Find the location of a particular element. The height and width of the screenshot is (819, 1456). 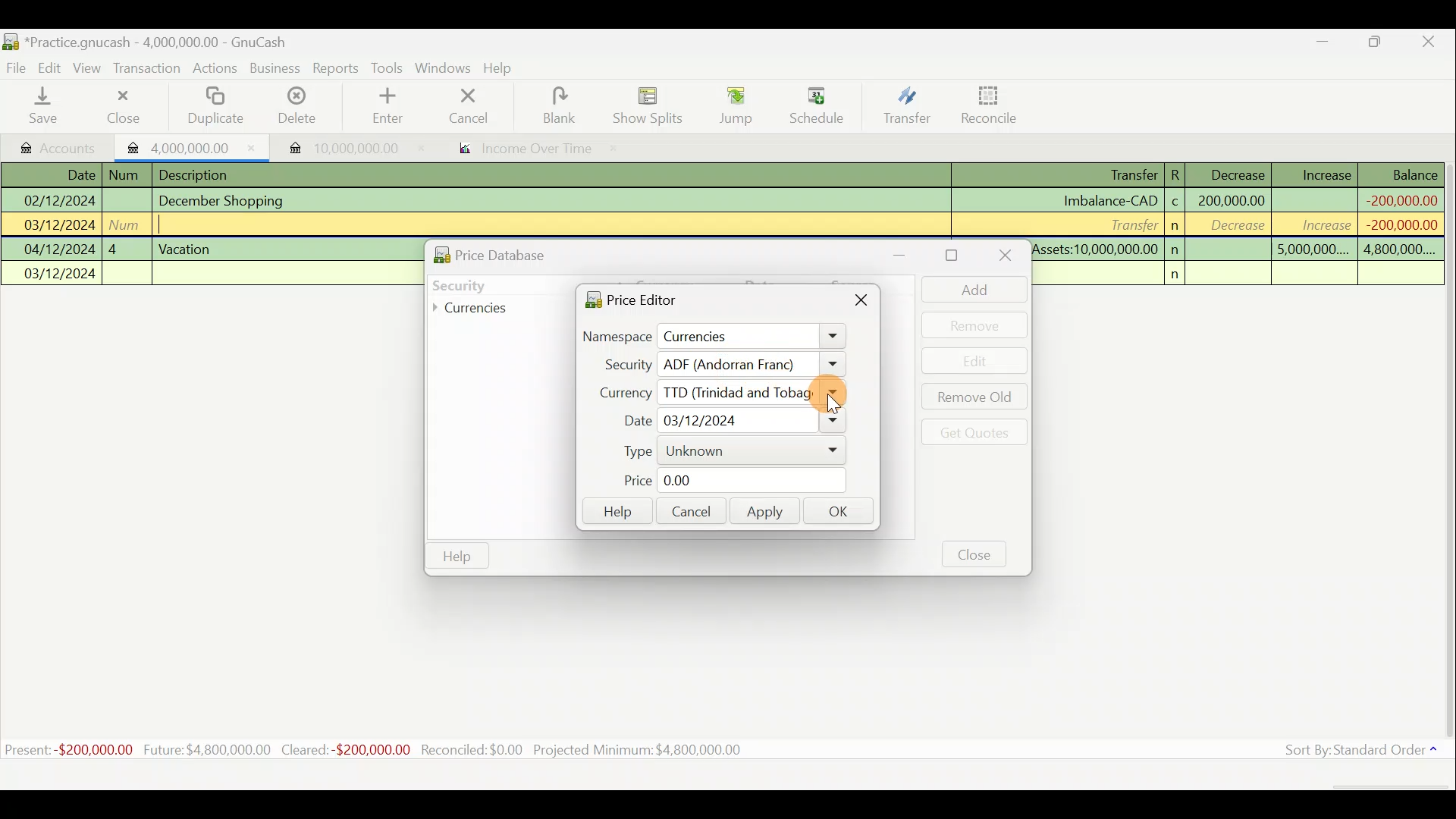

Imported transaction is located at coordinates (186, 146).